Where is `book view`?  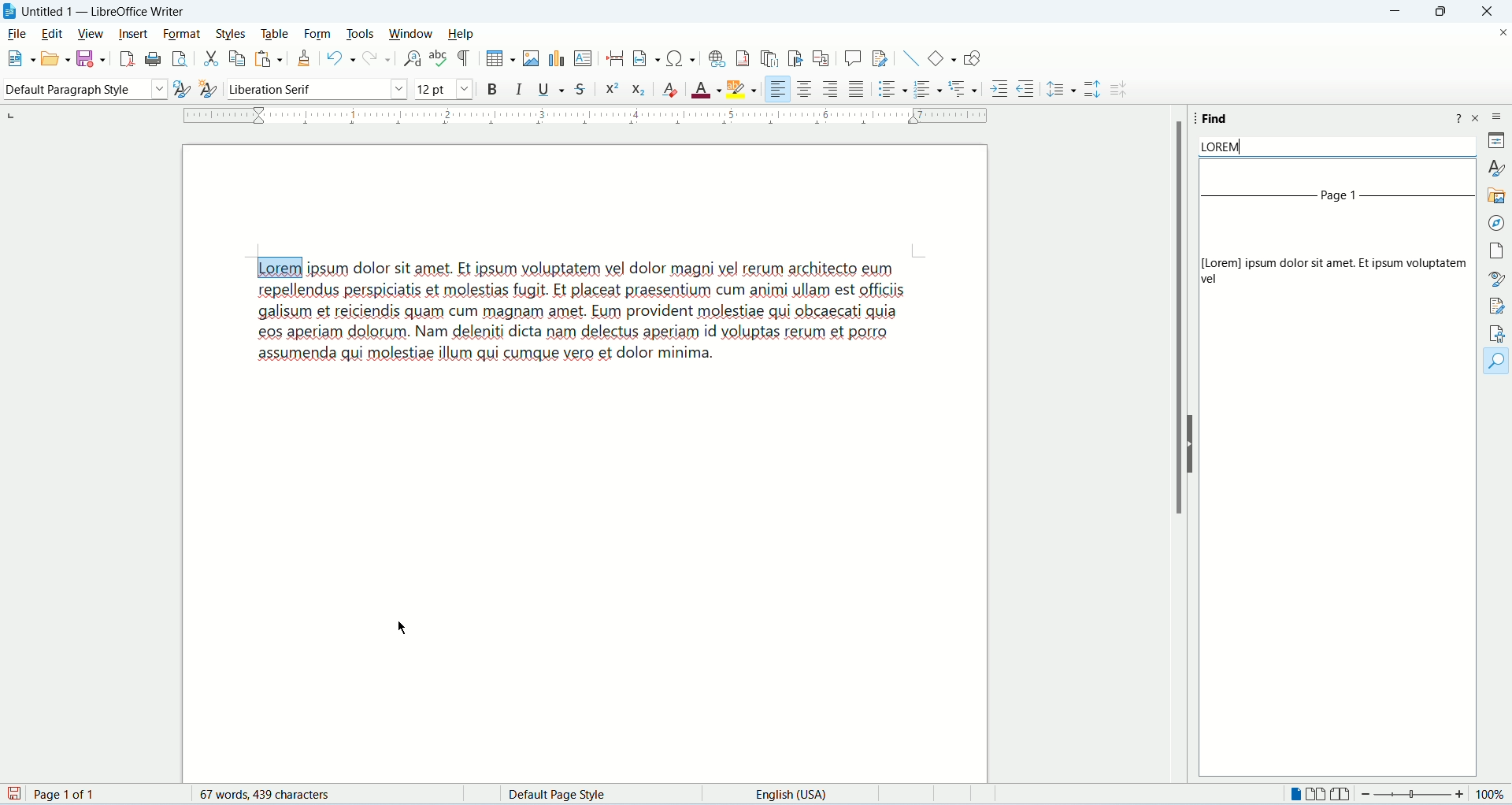
book view is located at coordinates (1343, 796).